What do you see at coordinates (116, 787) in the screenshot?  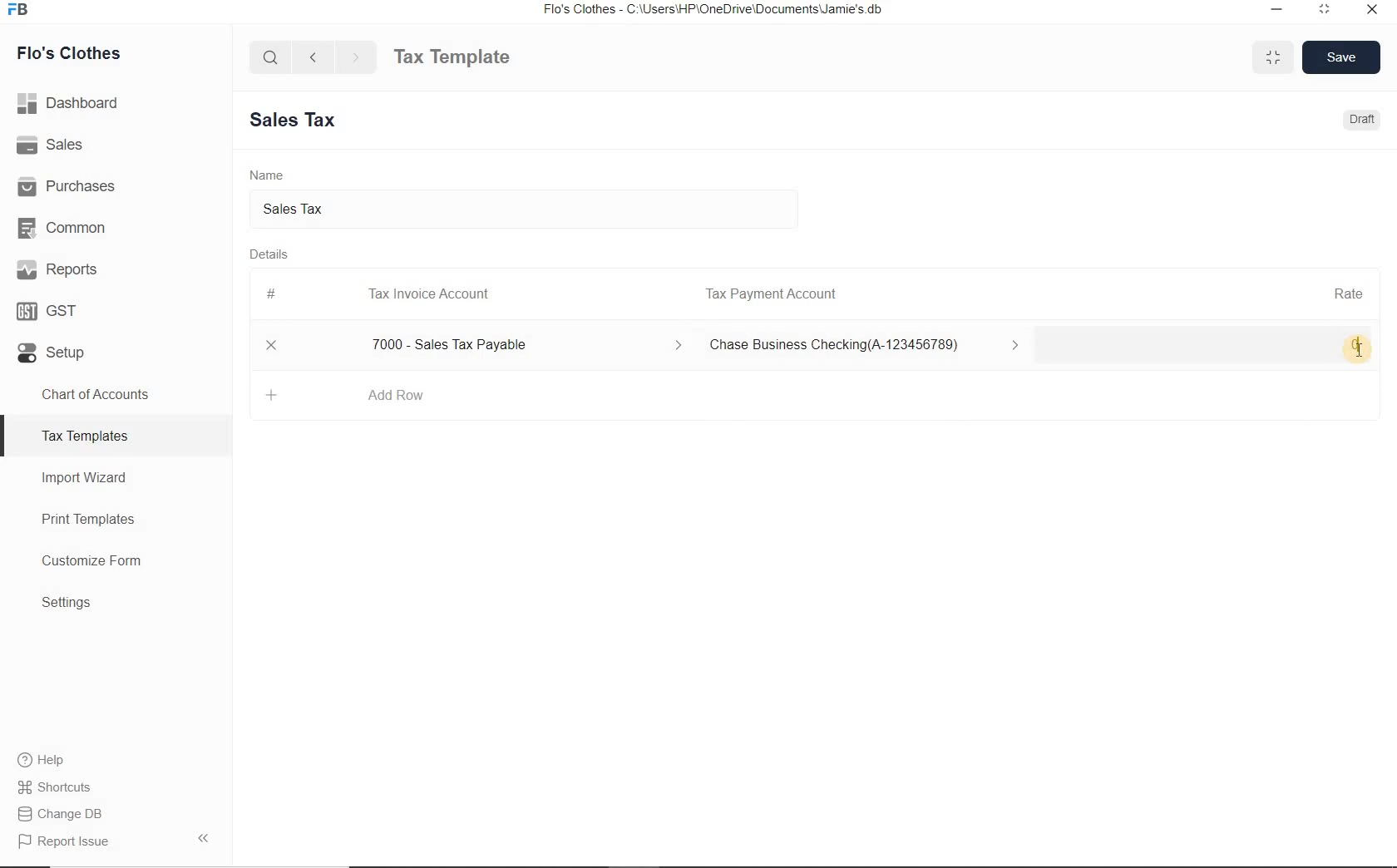 I see `Shortcuts` at bounding box center [116, 787].